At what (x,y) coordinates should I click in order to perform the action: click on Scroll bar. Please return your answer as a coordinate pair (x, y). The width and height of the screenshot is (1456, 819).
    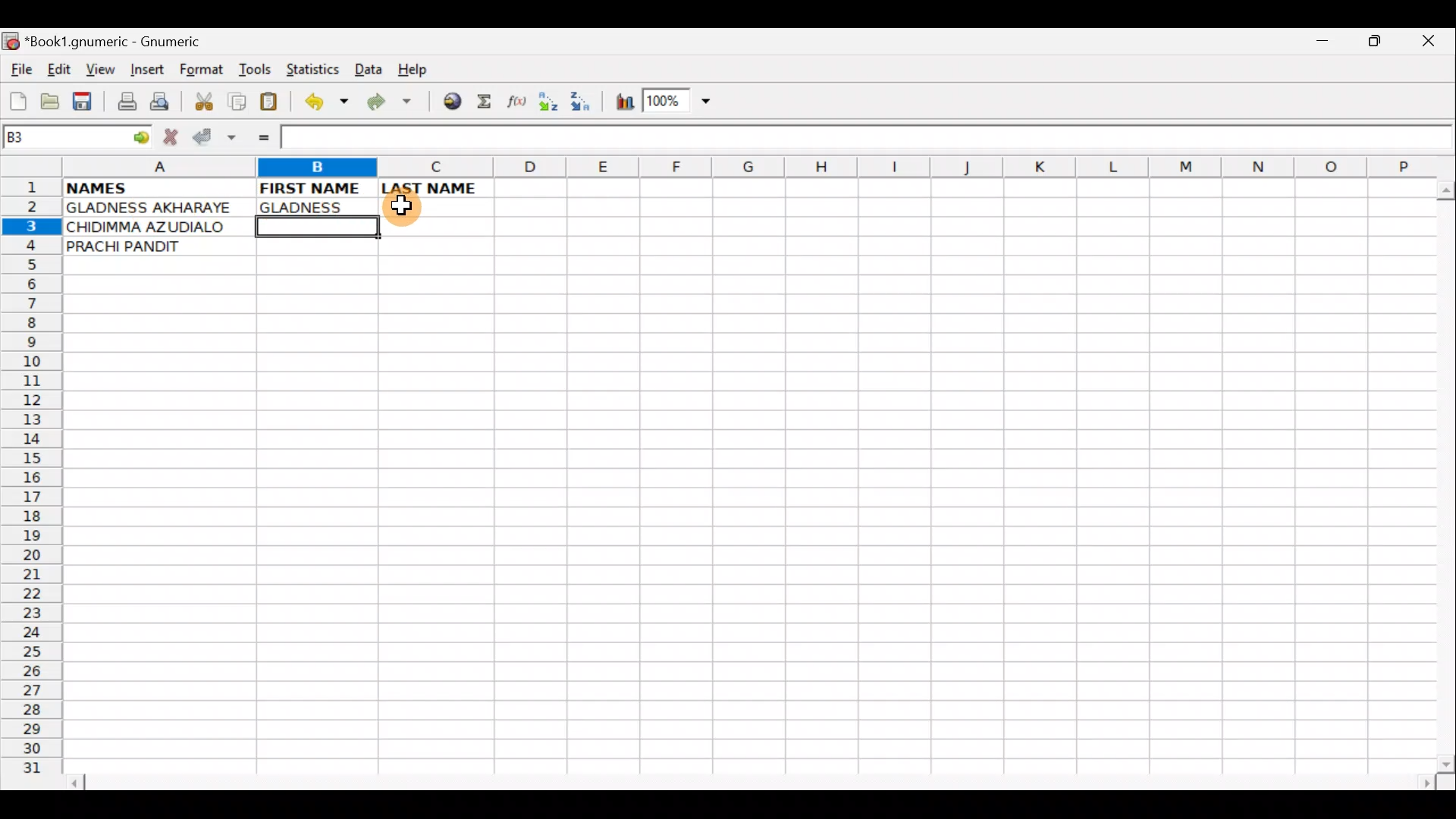
    Looking at the image, I should click on (754, 780).